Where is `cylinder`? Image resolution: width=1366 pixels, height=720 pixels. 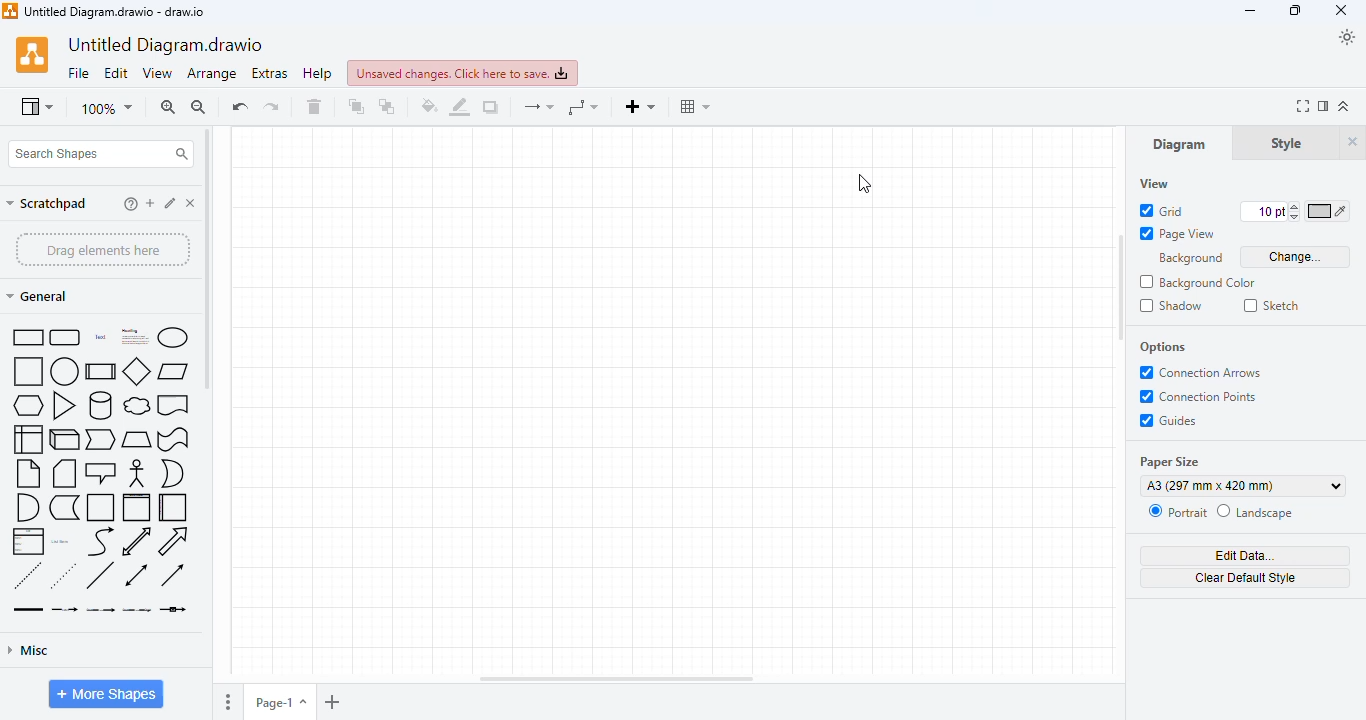
cylinder is located at coordinates (101, 405).